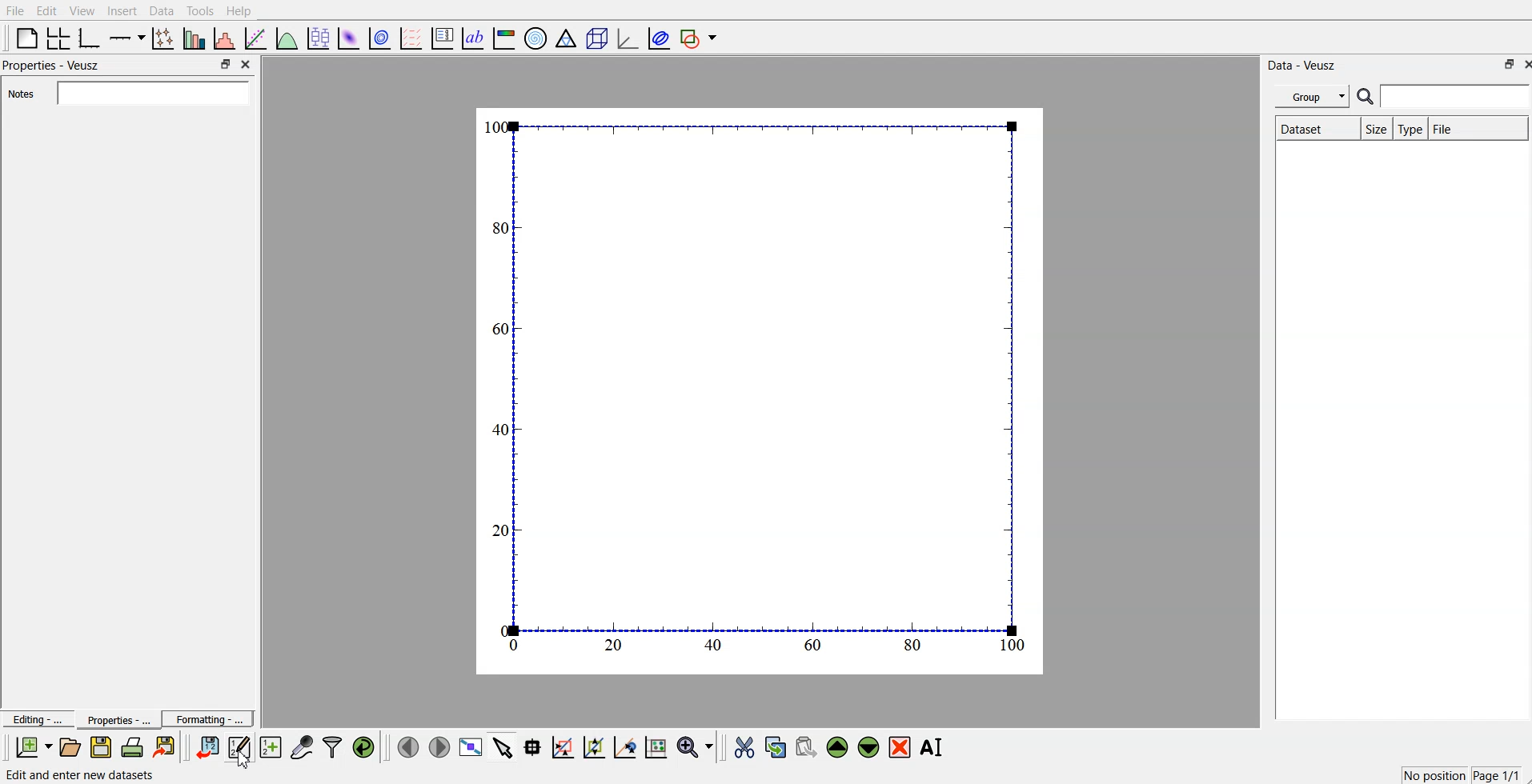 The width and height of the screenshot is (1532, 784). Describe the element at coordinates (243, 757) in the screenshot. I see `Cursor` at that location.